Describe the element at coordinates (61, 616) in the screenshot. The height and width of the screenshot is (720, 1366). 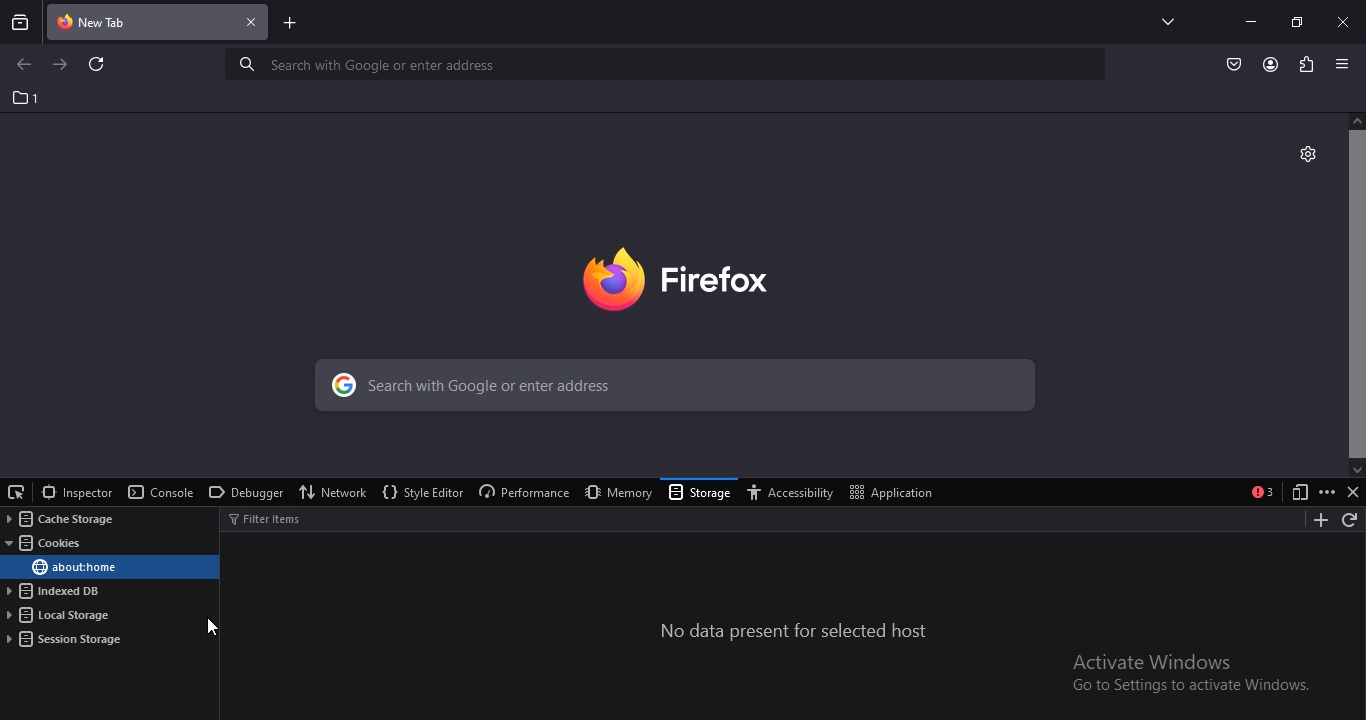
I see `local storage` at that location.